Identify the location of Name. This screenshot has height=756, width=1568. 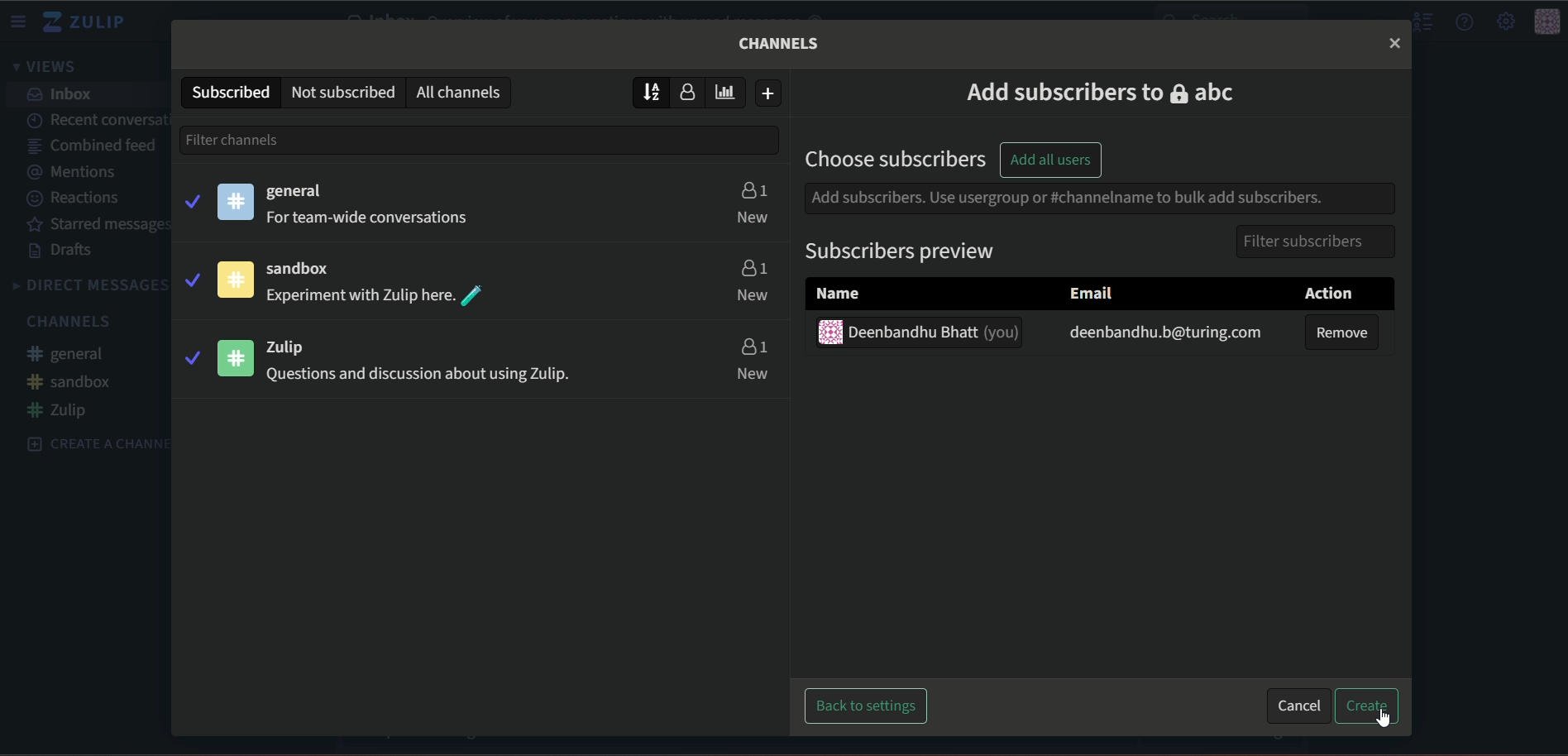
(829, 293).